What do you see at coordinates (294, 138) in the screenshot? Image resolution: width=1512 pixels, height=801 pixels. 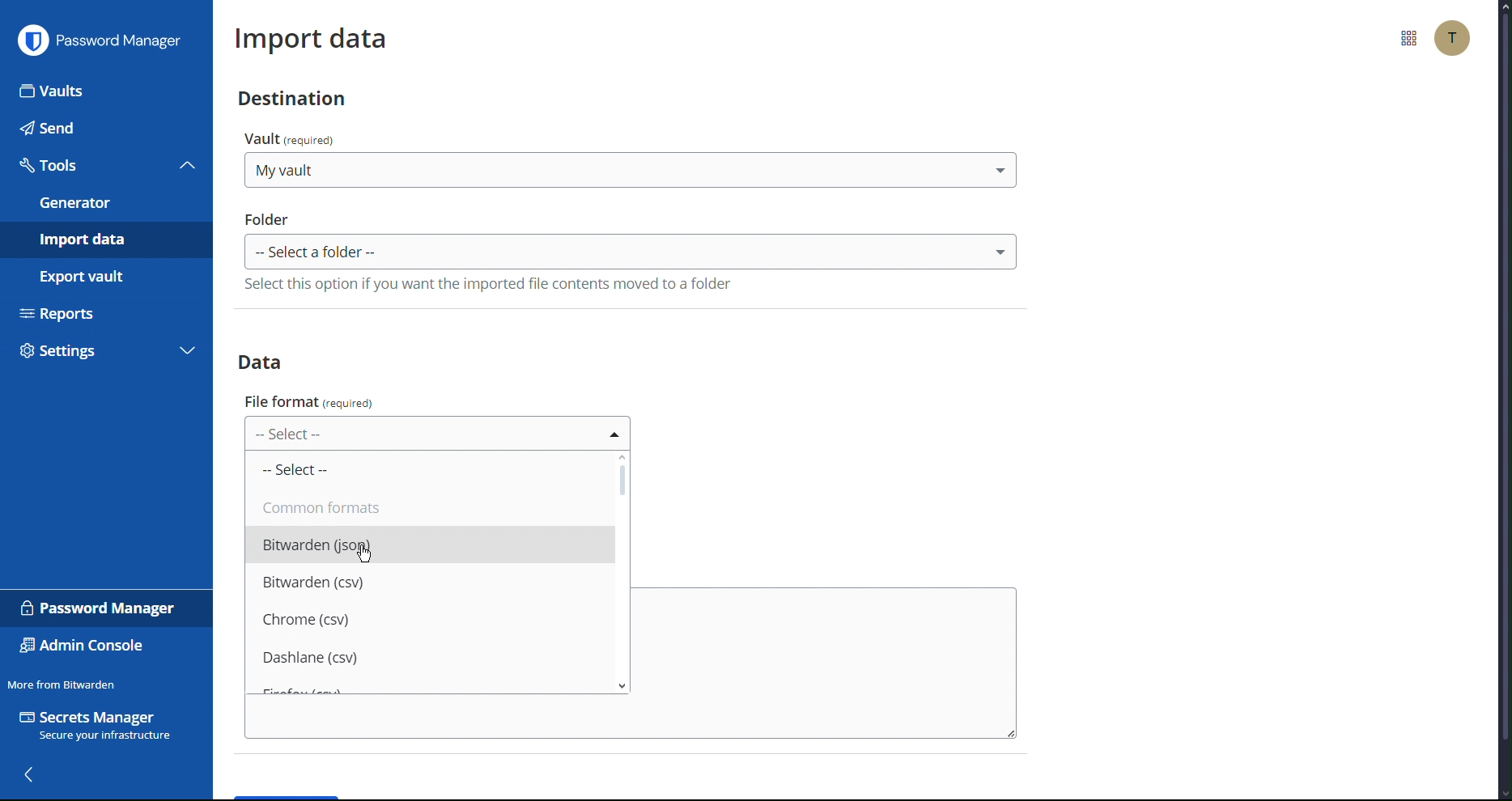 I see `vault` at bounding box center [294, 138].